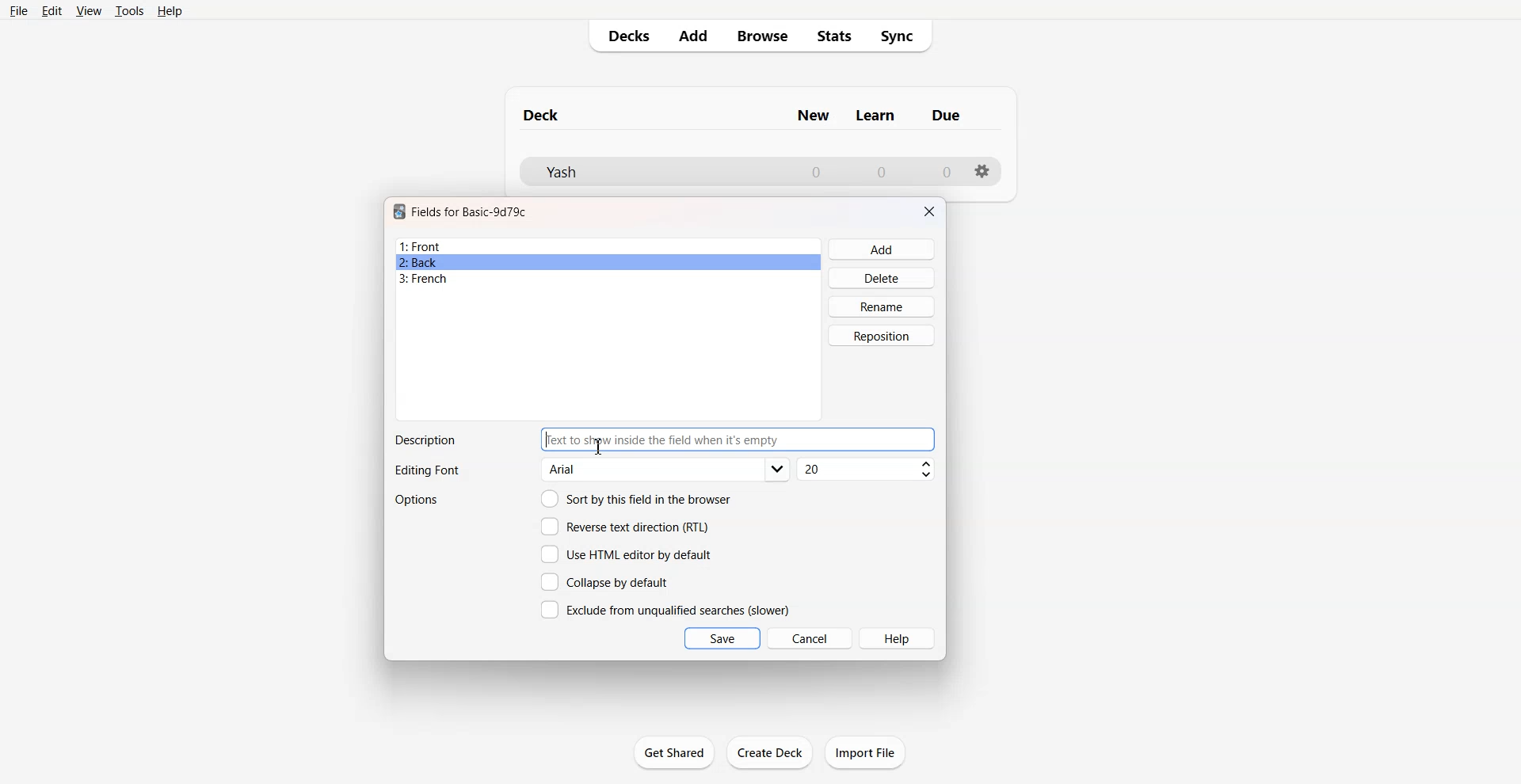 This screenshot has width=1521, height=784. Describe the element at coordinates (608, 246) in the screenshot. I see `Front` at that location.